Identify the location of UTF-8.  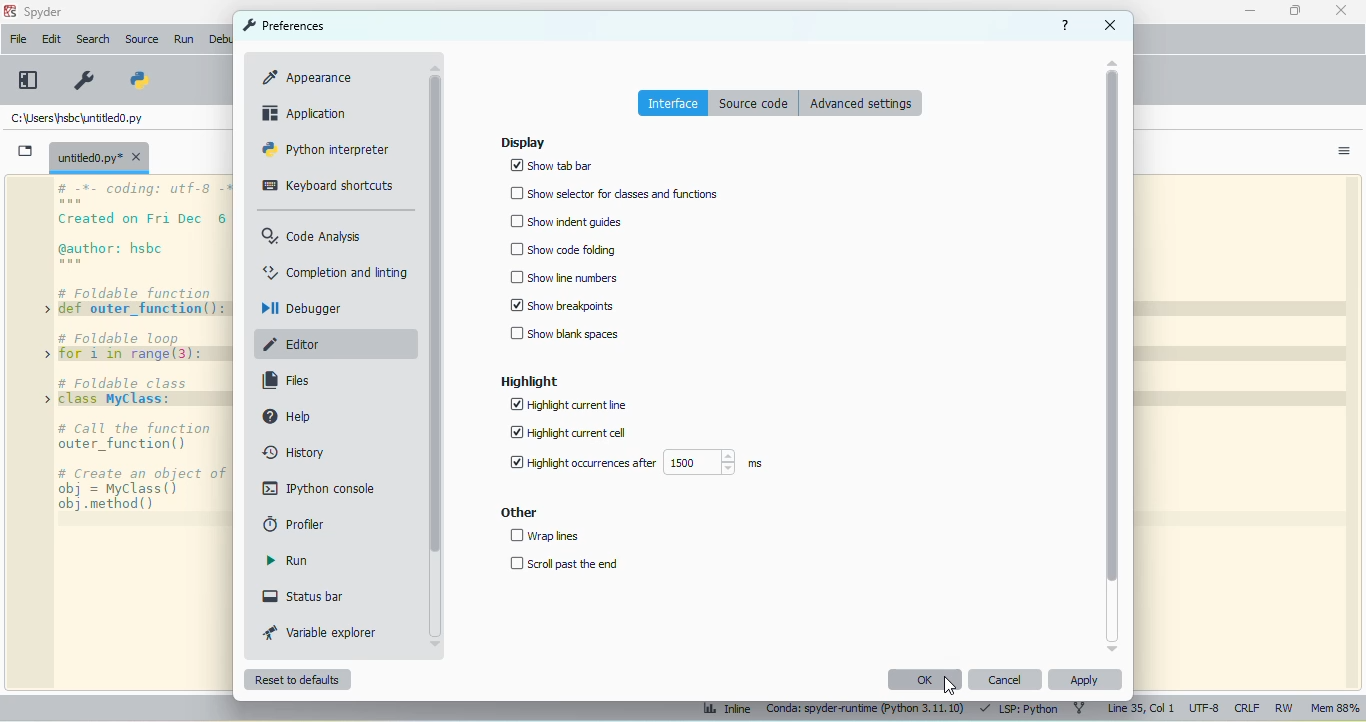
(1205, 709).